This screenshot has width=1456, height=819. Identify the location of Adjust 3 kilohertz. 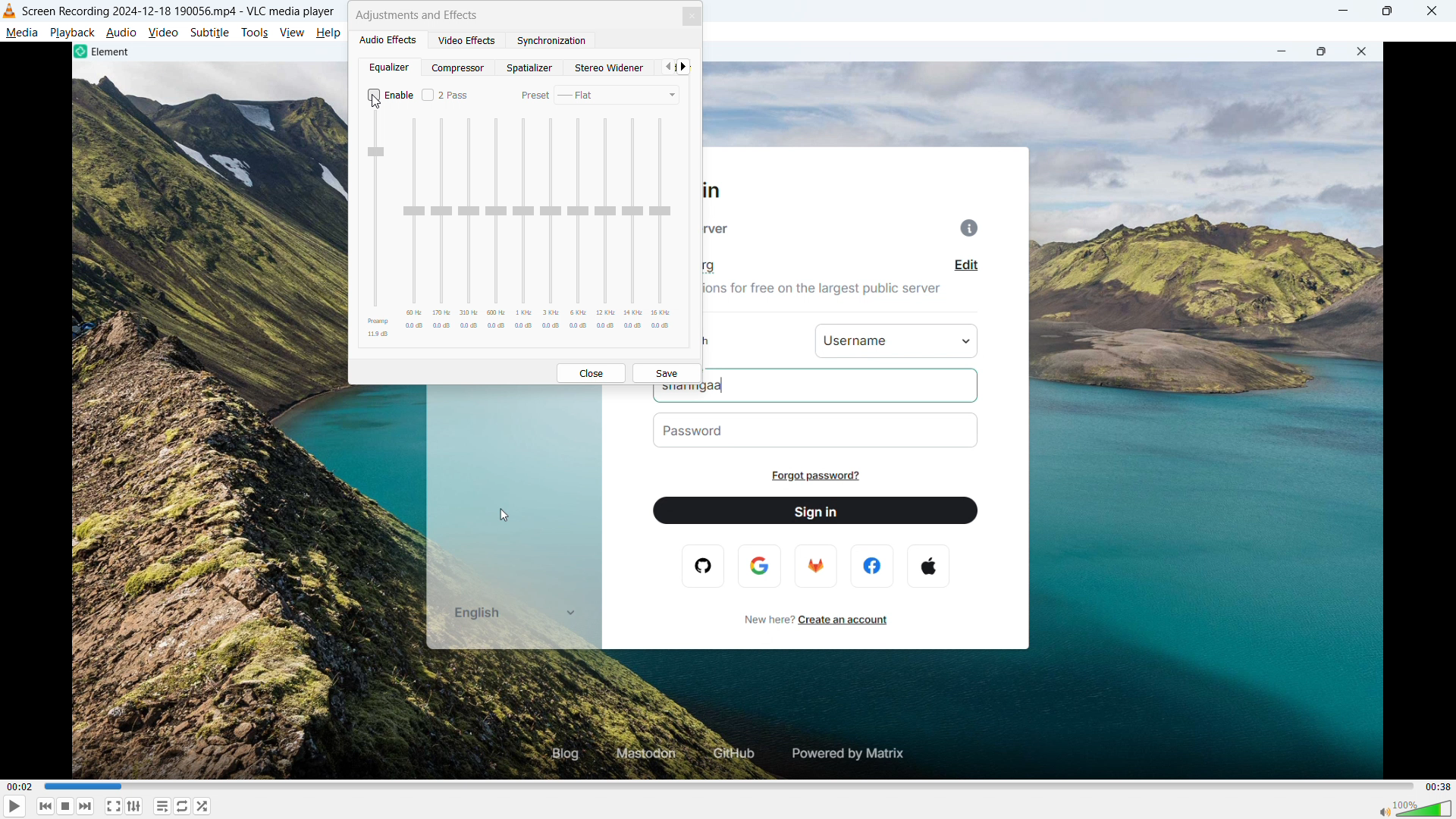
(551, 224).